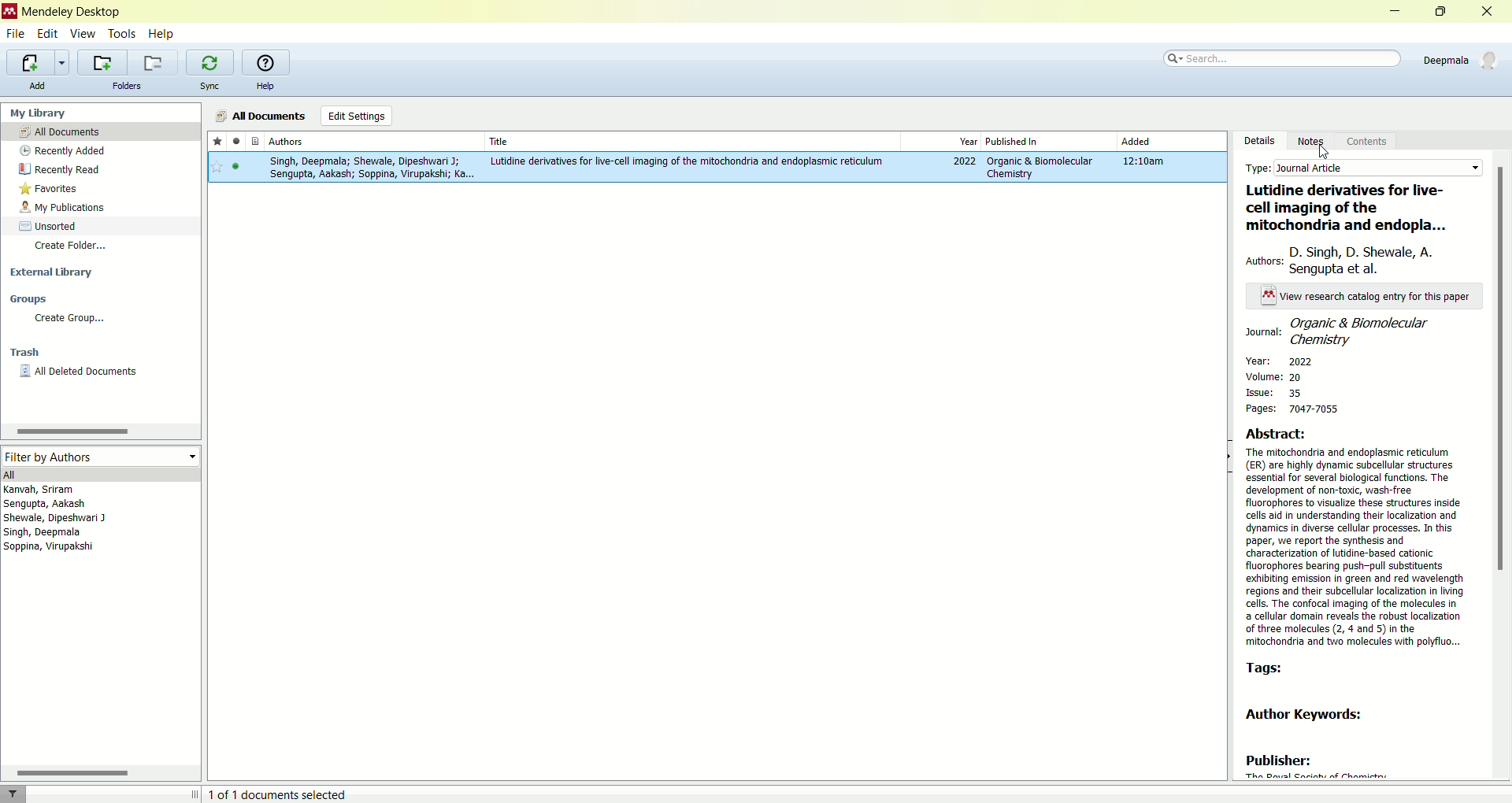 Image resolution: width=1512 pixels, height=803 pixels. What do you see at coordinates (1294, 432) in the screenshot?
I see `Abstract` at bounding box center [1294, 432].